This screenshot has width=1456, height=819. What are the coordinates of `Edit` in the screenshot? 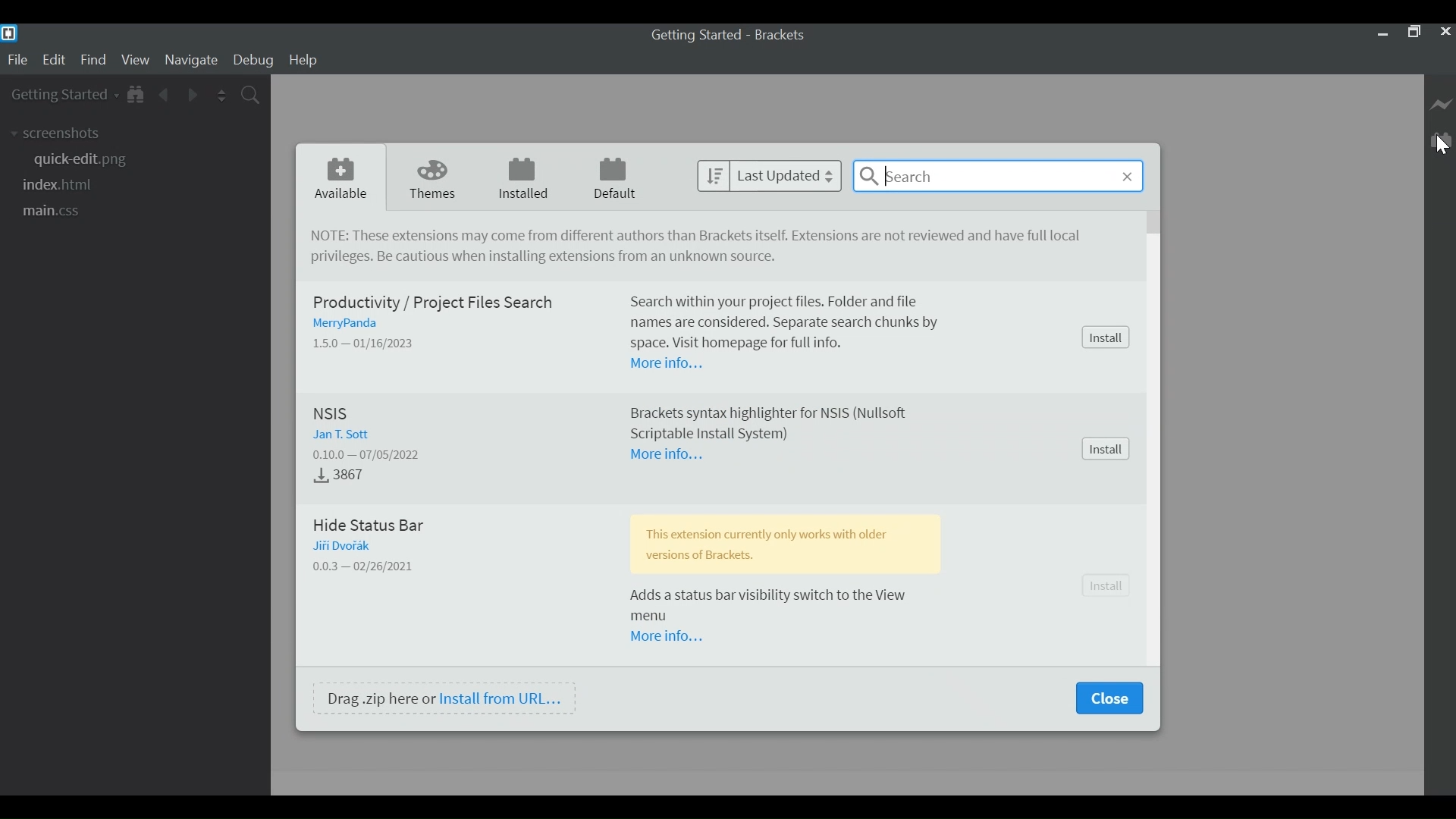 It's located at (55, 61).